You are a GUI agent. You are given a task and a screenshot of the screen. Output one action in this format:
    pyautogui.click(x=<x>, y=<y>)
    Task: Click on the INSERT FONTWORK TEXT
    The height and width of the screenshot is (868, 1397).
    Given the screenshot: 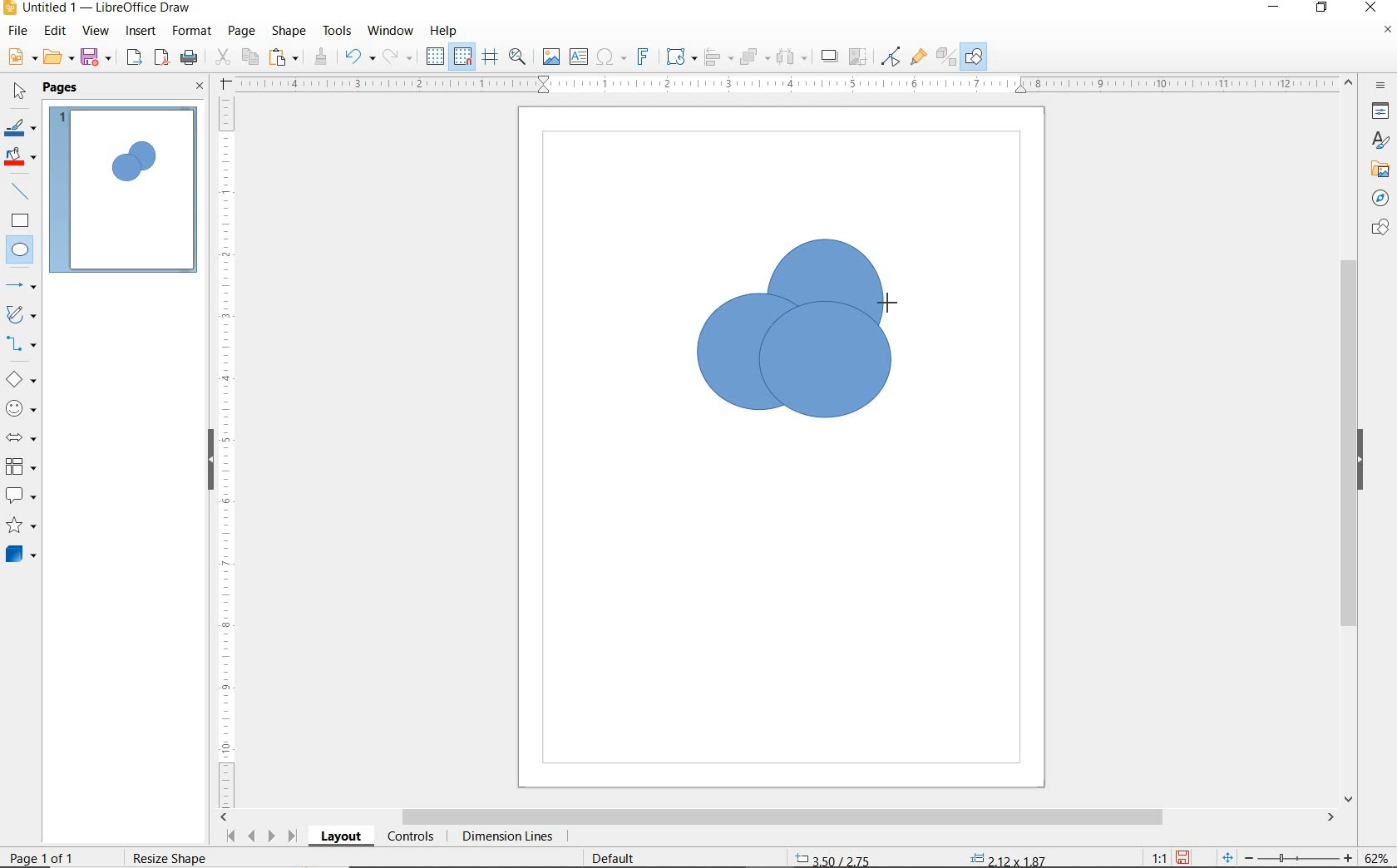 What is the action you would take?
    pyautogui.click(x=641, y=57)
    